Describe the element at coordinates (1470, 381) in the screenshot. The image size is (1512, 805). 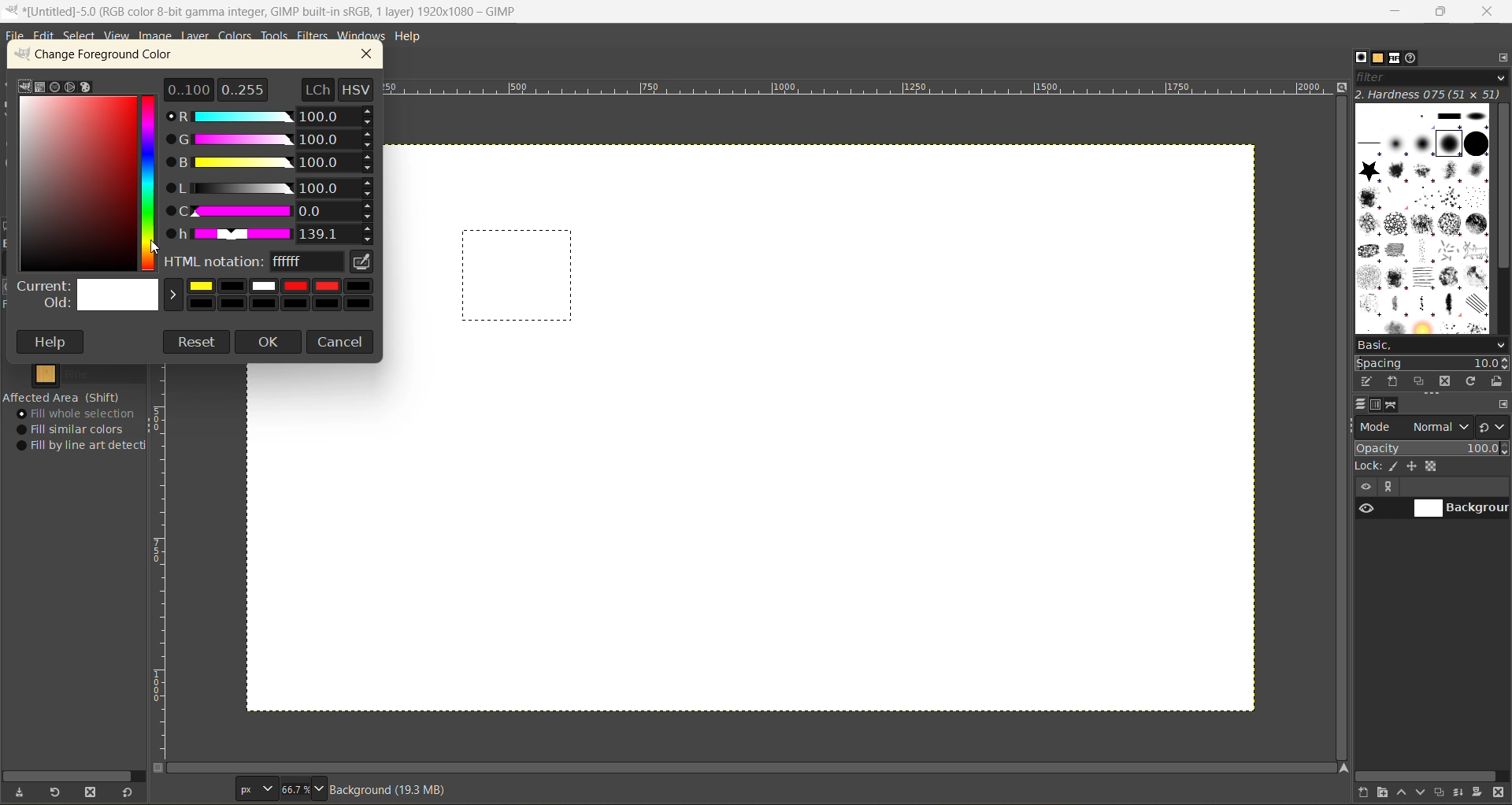
I see `refresh brushes` at that location.